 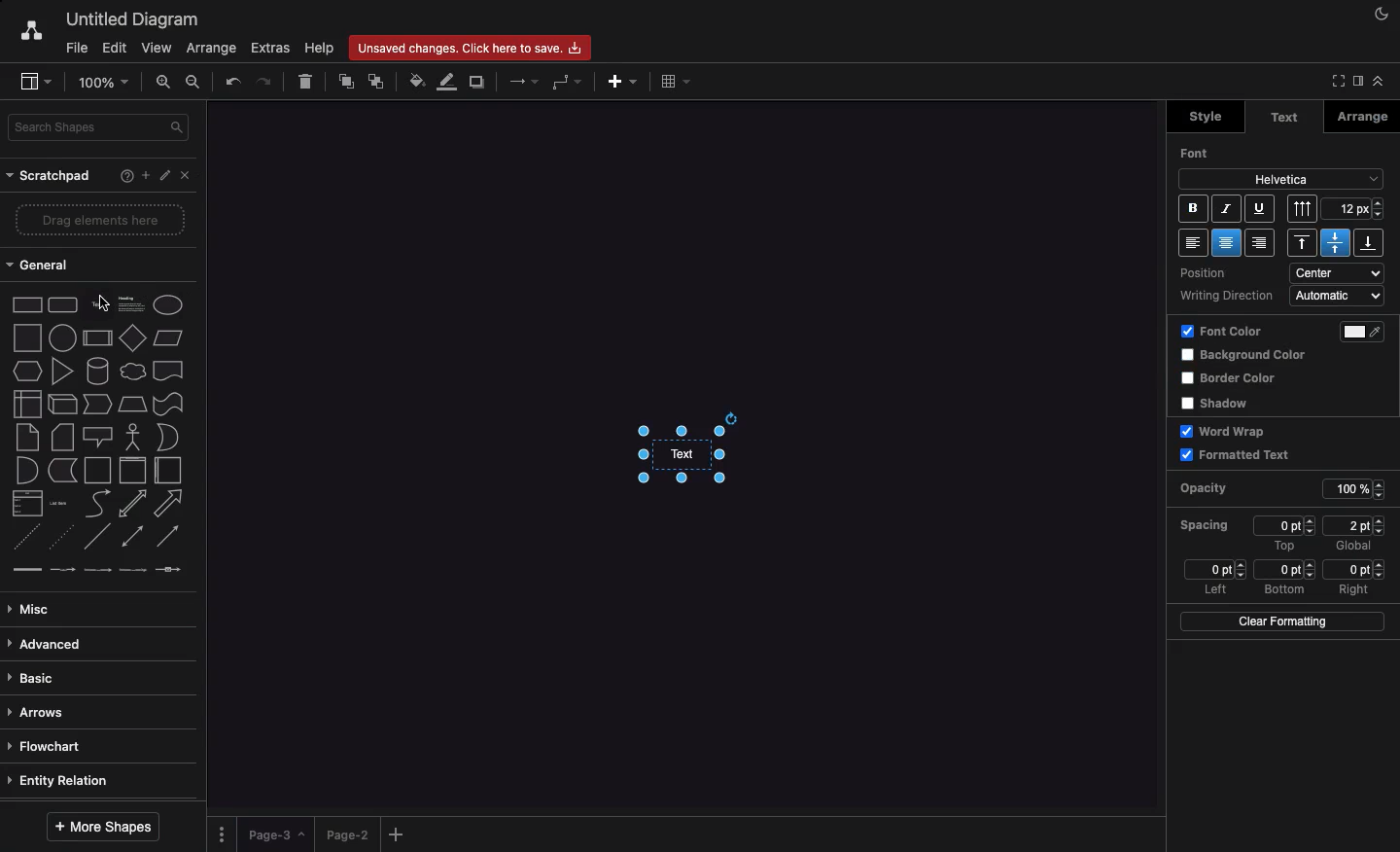 I want to click on Flowchart, so click(x=53, y=747).